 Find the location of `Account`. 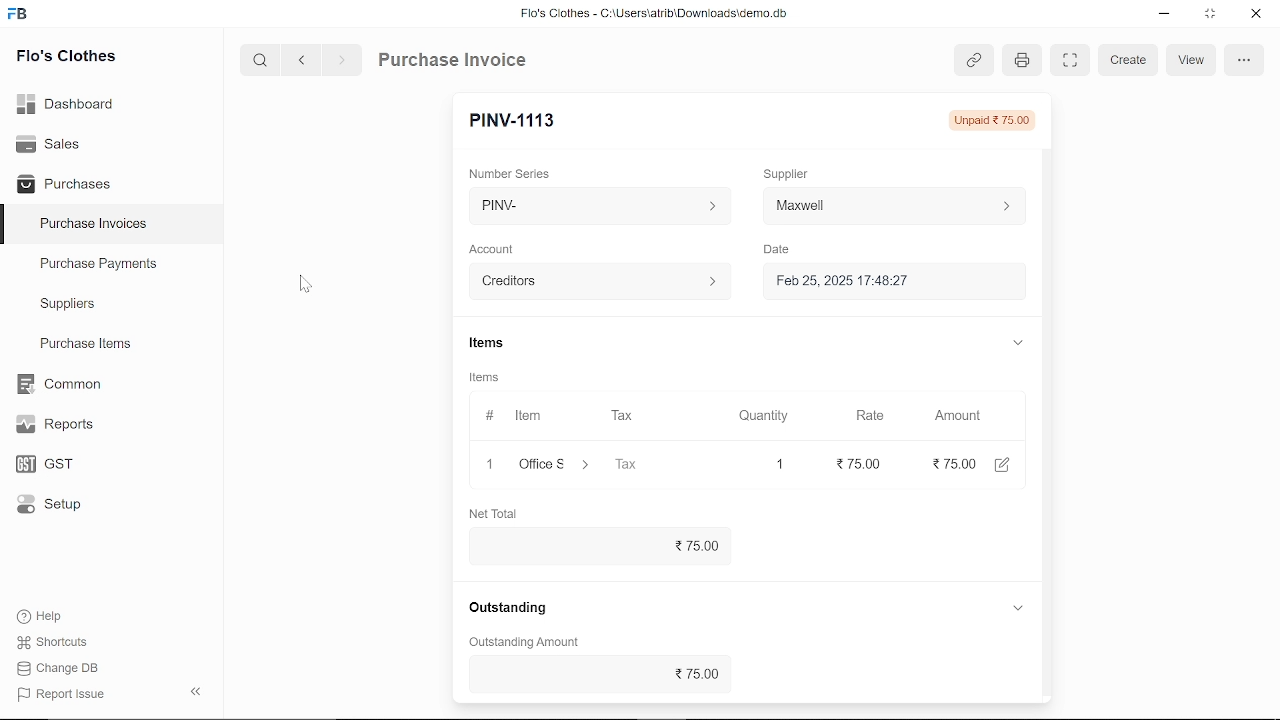

Account is located at coordinates (498, 247).